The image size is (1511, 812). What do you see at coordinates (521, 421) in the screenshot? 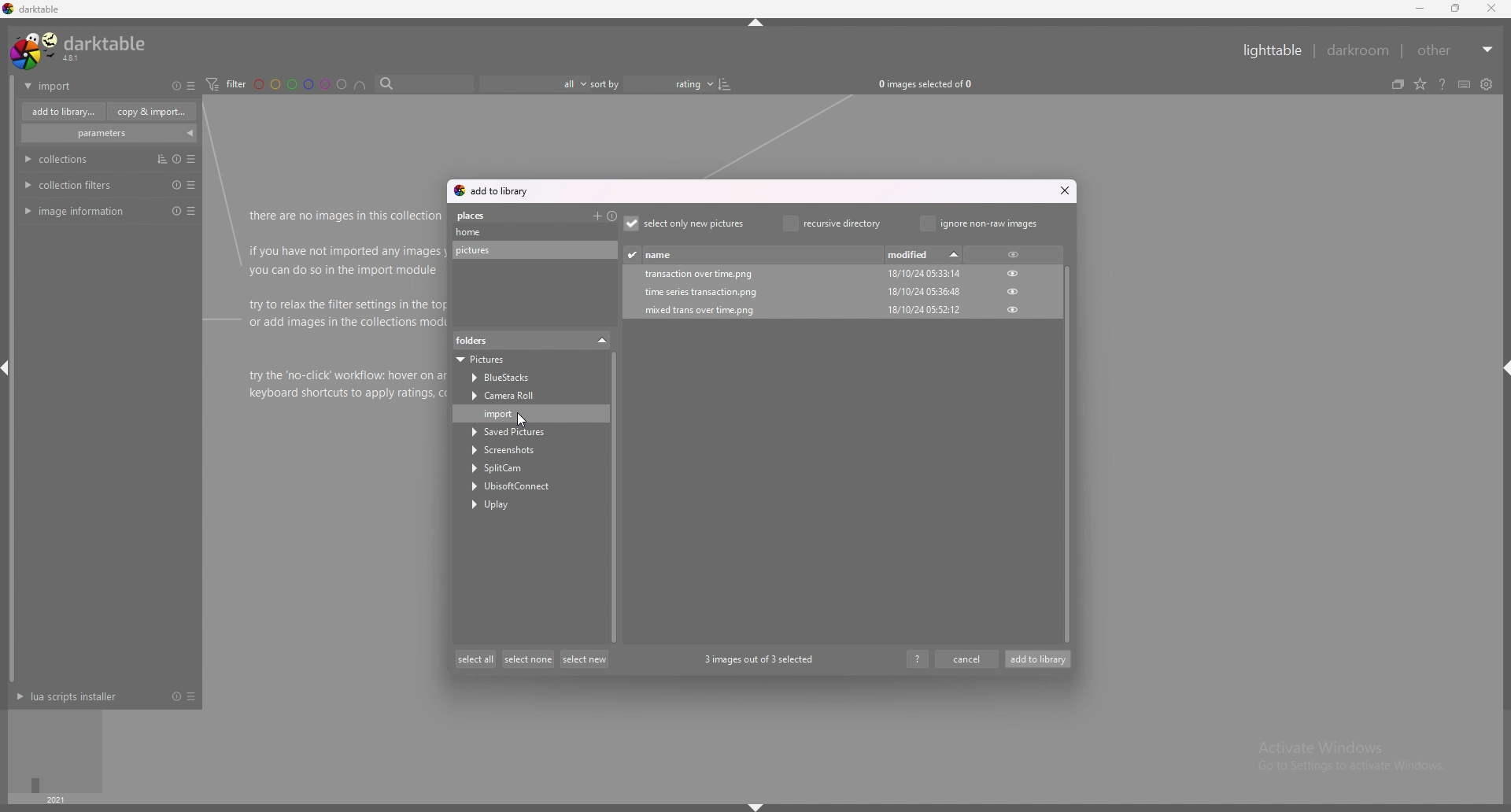
I see `cursor` at bounding box center [521, 421].